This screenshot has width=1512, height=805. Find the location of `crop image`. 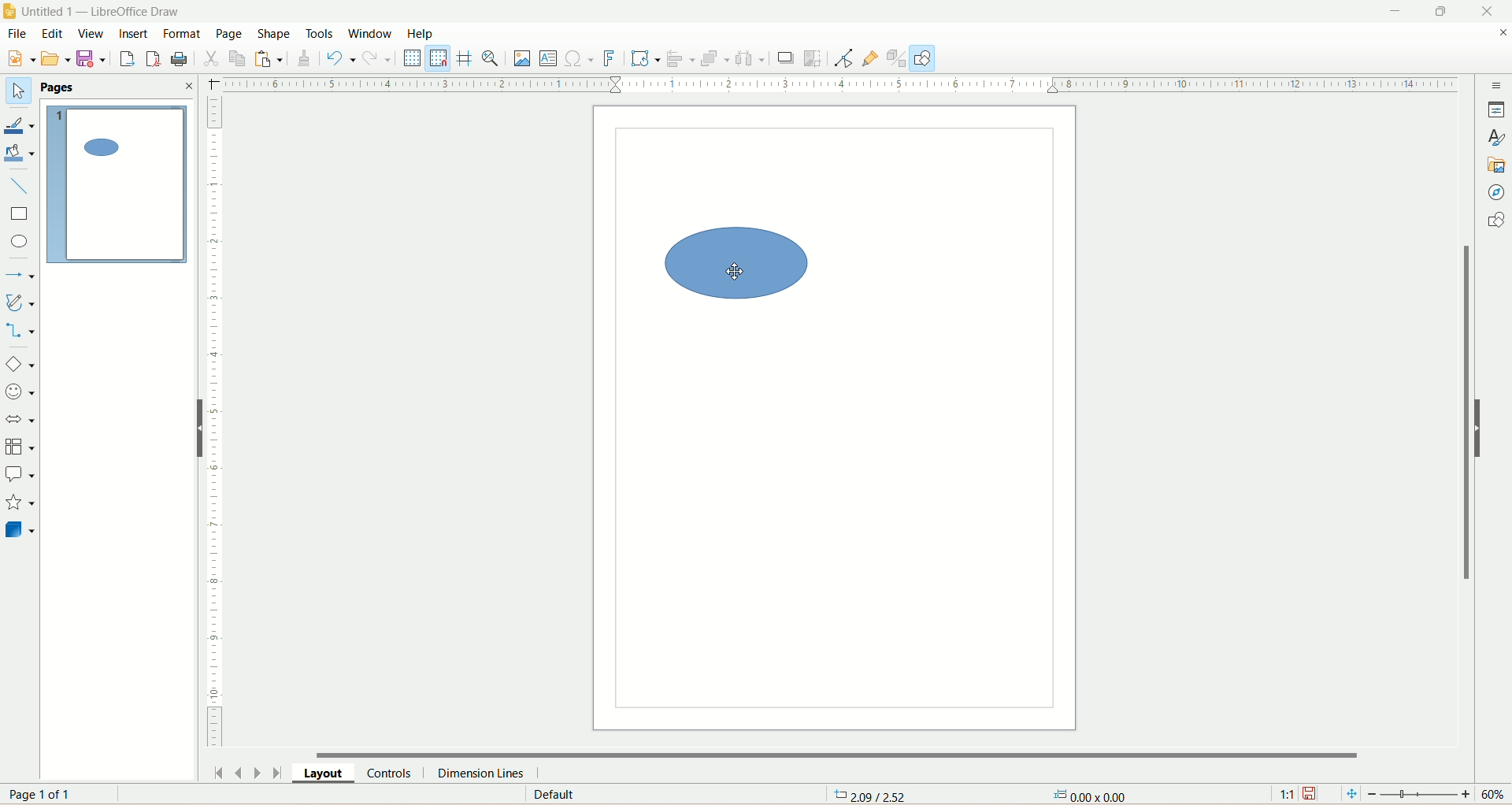

crop image is located at coordinates (814, 58).